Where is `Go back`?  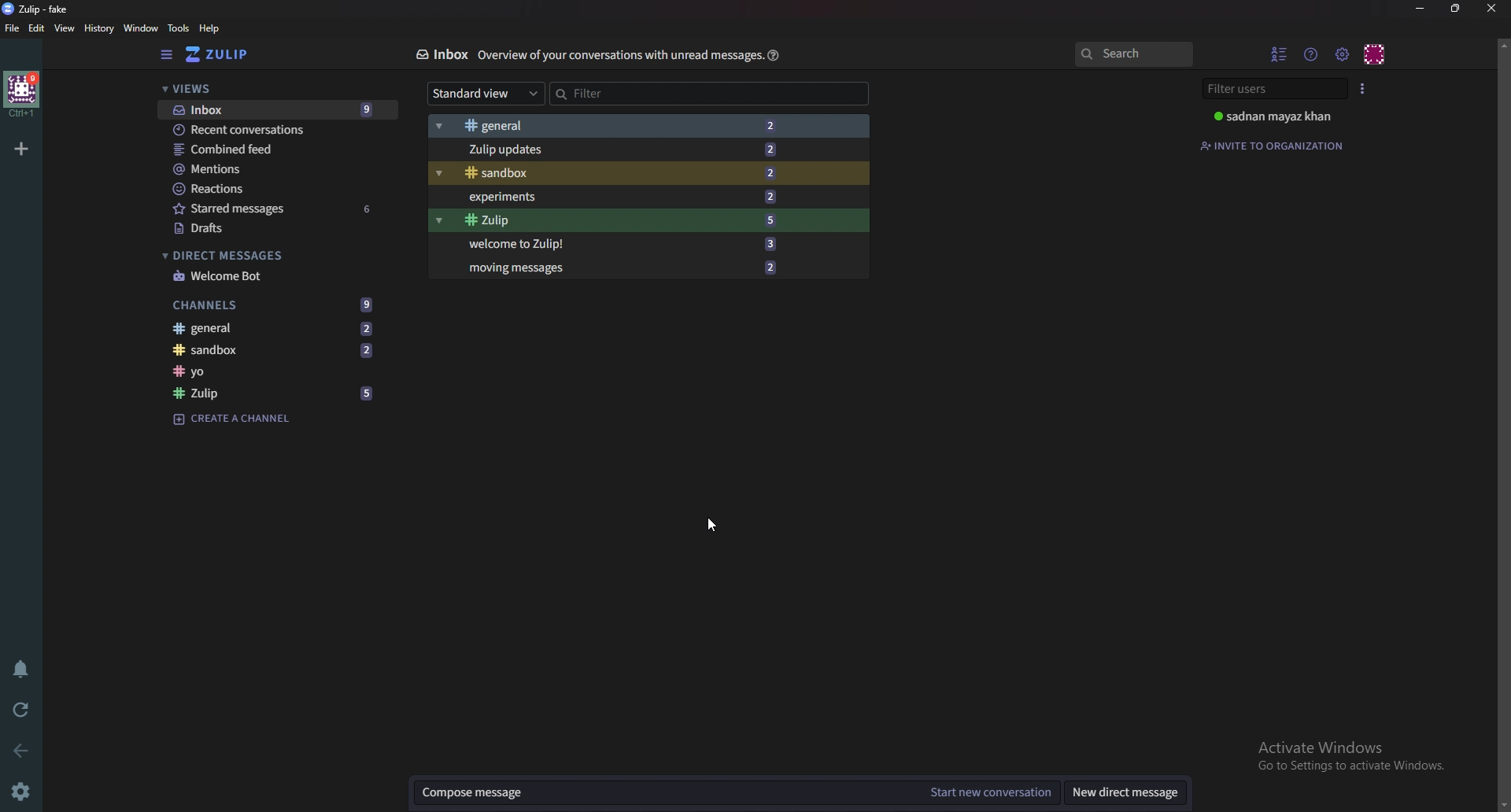 Go back is located at coordinates (20, 749).